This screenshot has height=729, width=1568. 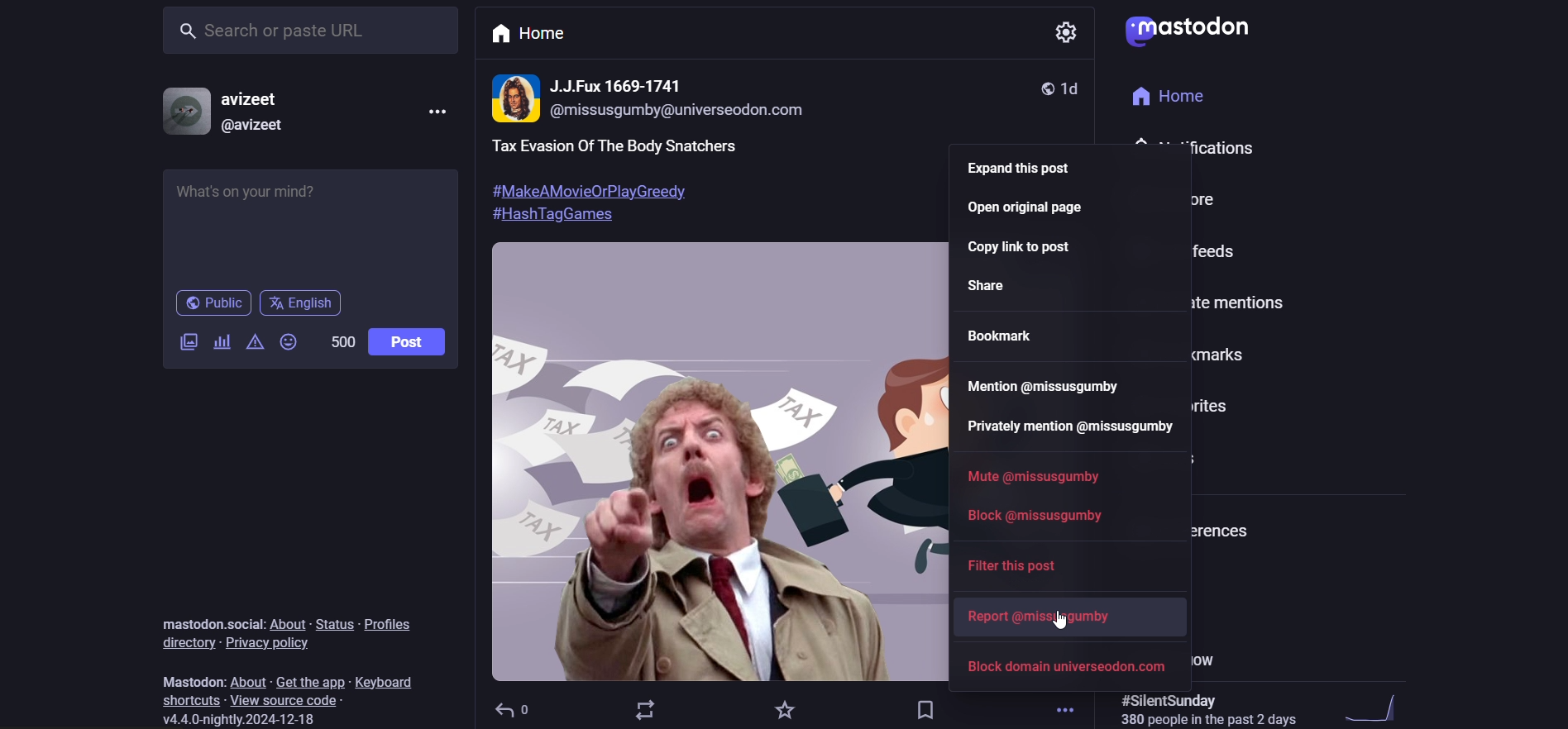 I want to click on keyboard, so click(x=388, y=682).